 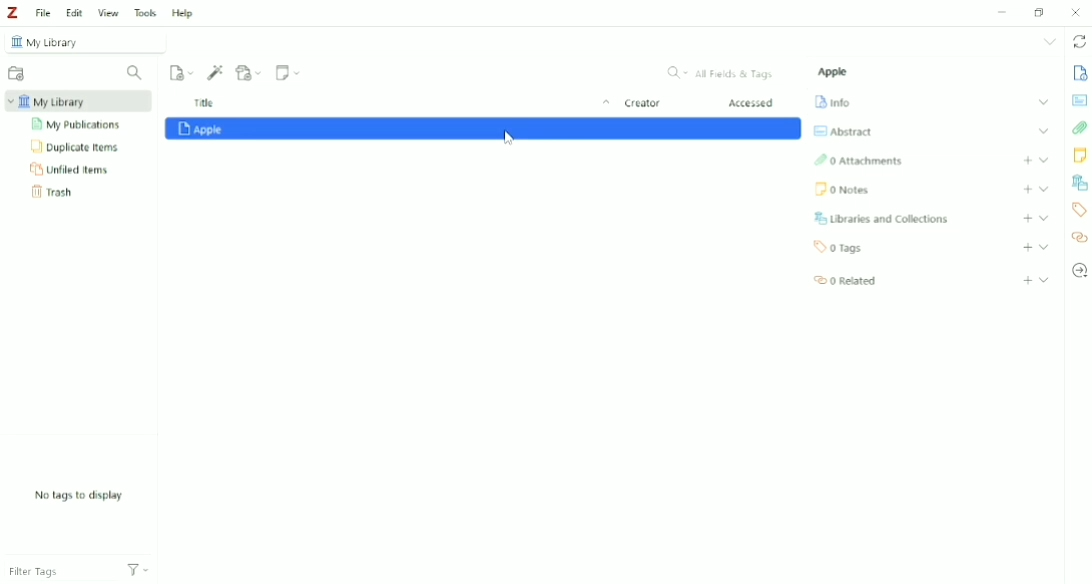 I want to click on New Note, so click(x=288, y=73).